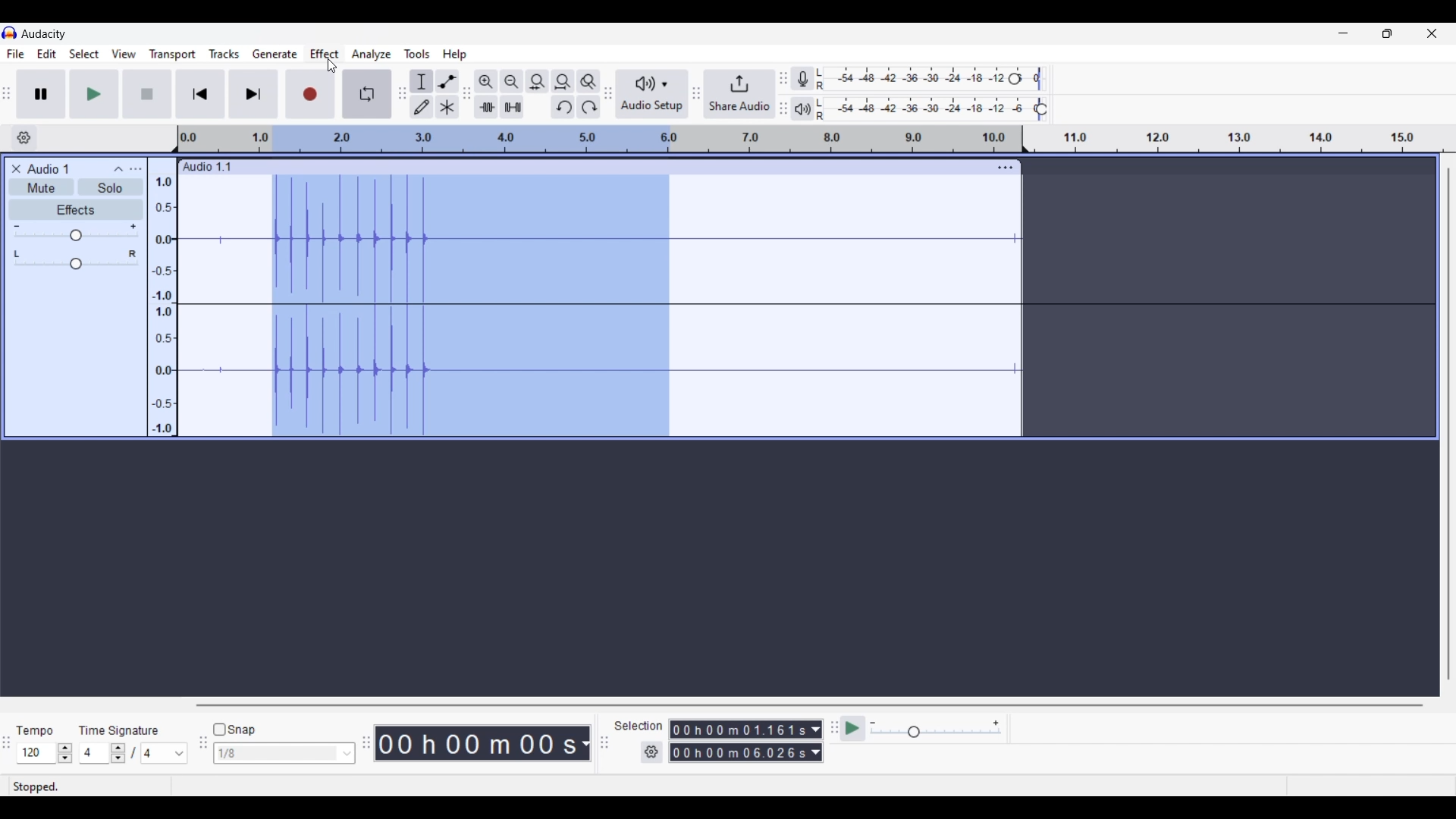 Image resolution: width=1456 pixels, height=819 pixels. I want to click on Scale, so click(600, 139).